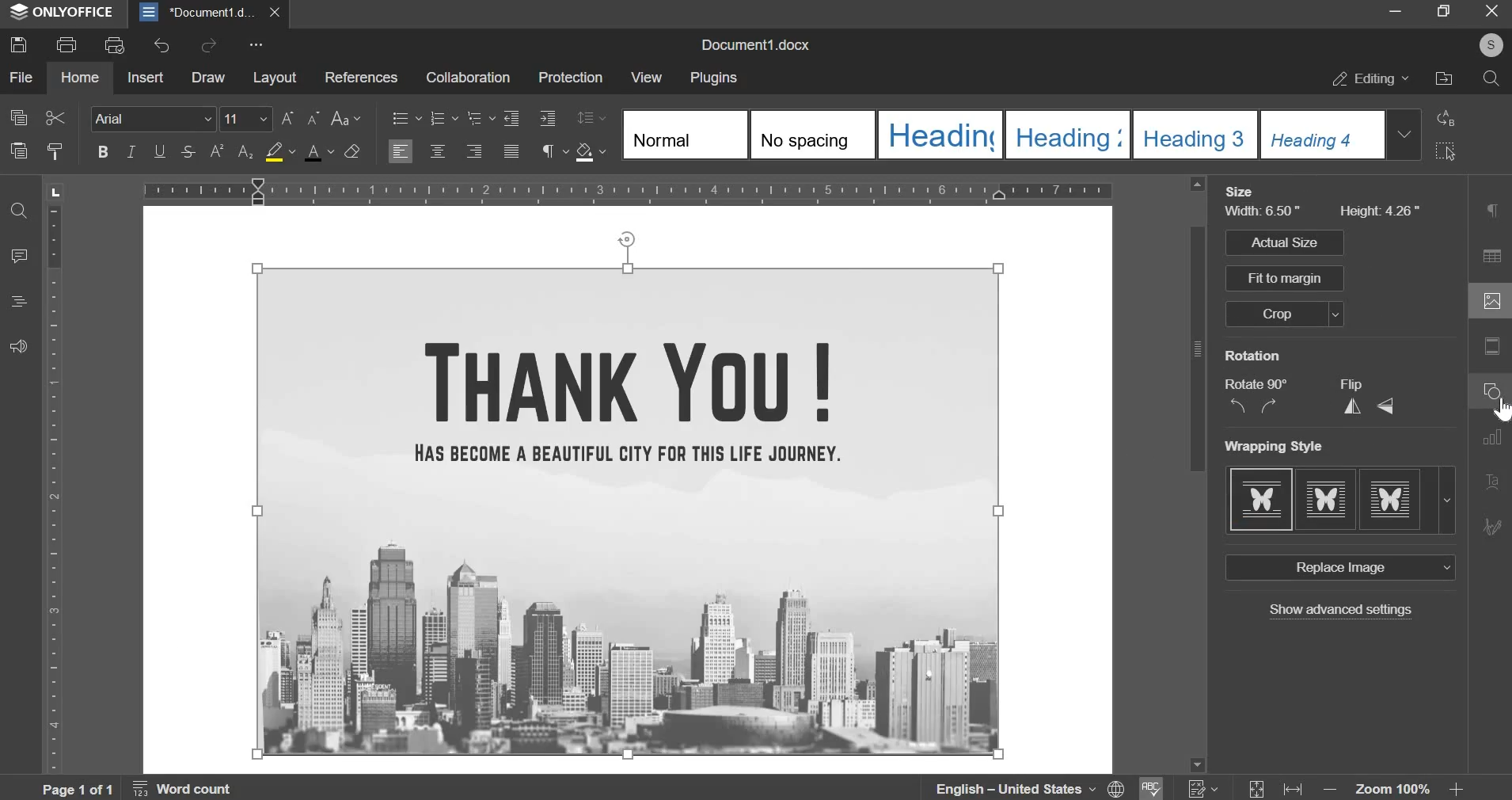  Describe the element at coordinates (131, 150) in the screenshot. I see `italics` at that location.